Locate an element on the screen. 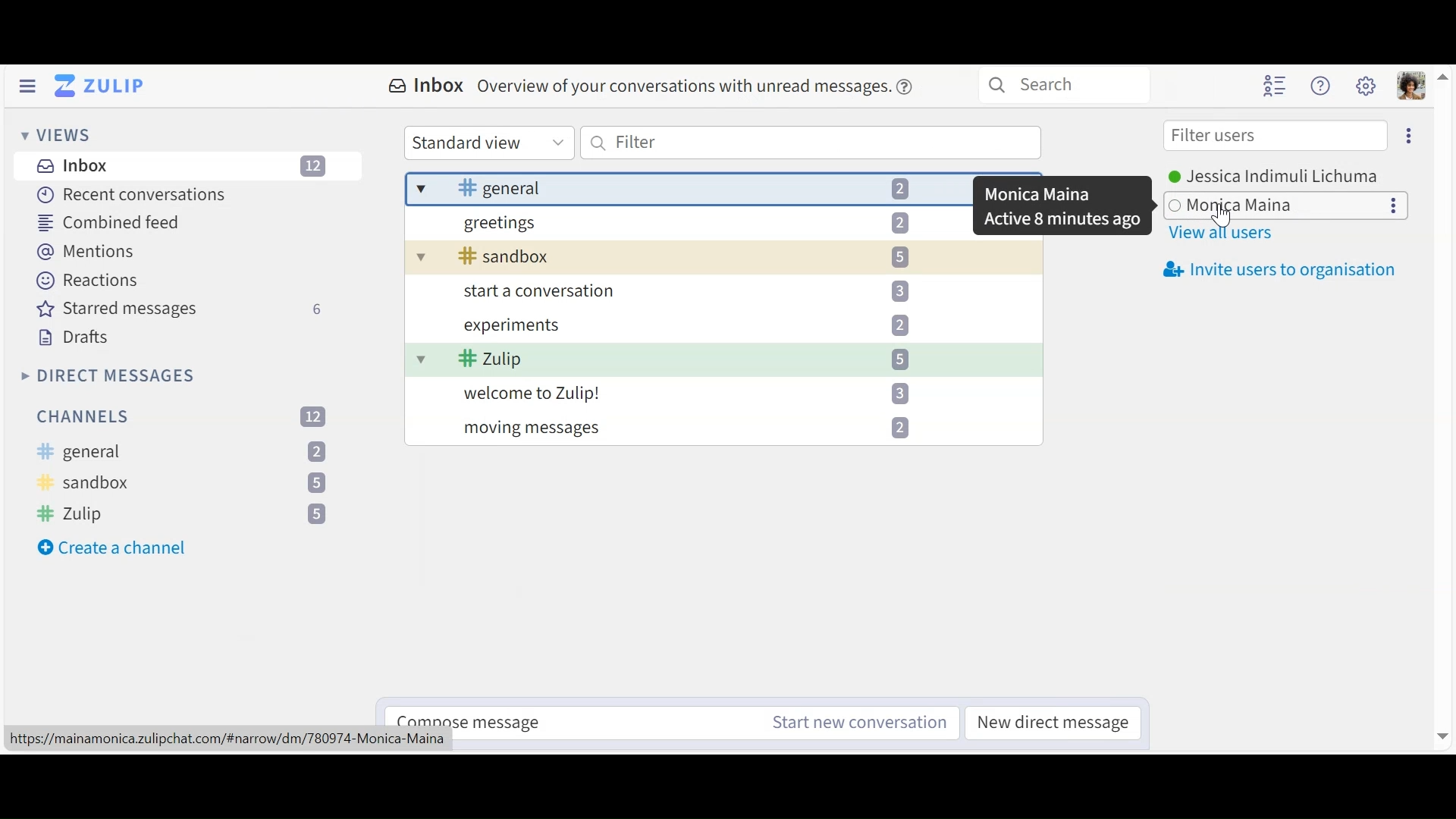 This screenshot has width=1456, height=819. Starred messages is located at coordinates (177, 308).